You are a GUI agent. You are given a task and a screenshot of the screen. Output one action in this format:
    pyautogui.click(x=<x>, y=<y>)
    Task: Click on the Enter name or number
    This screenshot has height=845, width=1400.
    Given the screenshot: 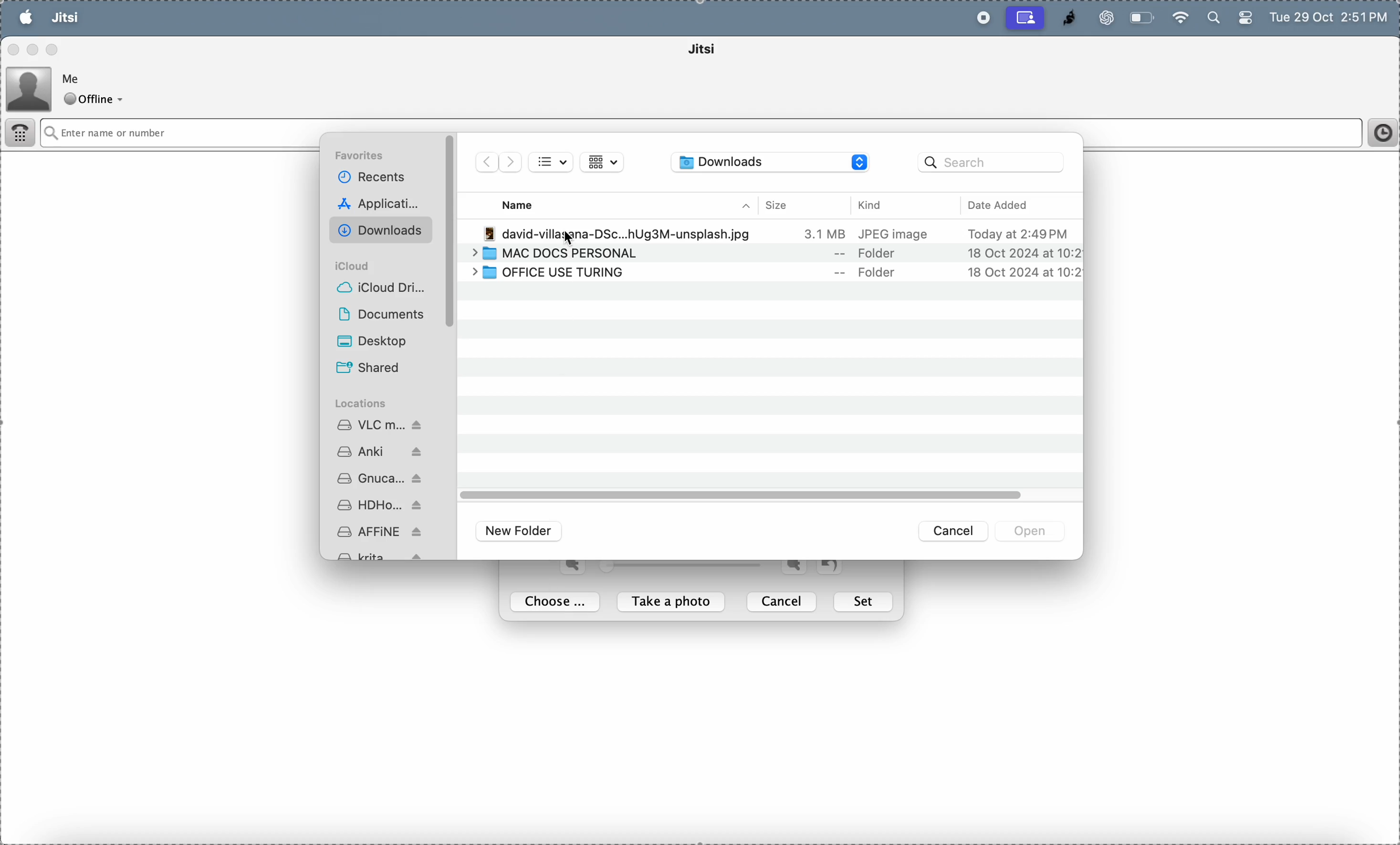 What is the action you would take?
    pyautogui.click(x=640, y=133)
    